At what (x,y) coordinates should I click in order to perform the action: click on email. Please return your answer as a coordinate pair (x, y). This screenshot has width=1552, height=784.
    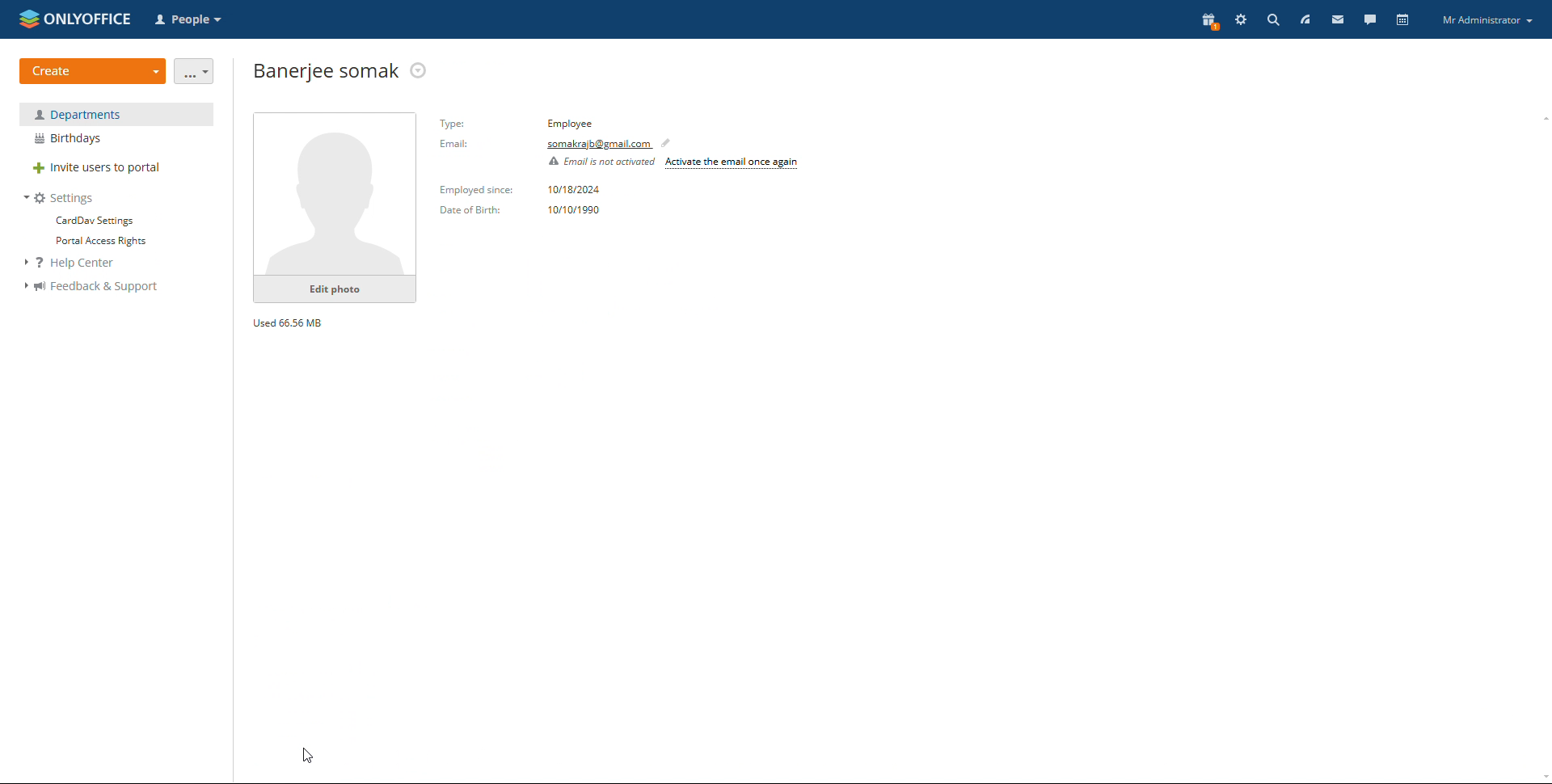
    Looking at the image, I should click on (458, 145).